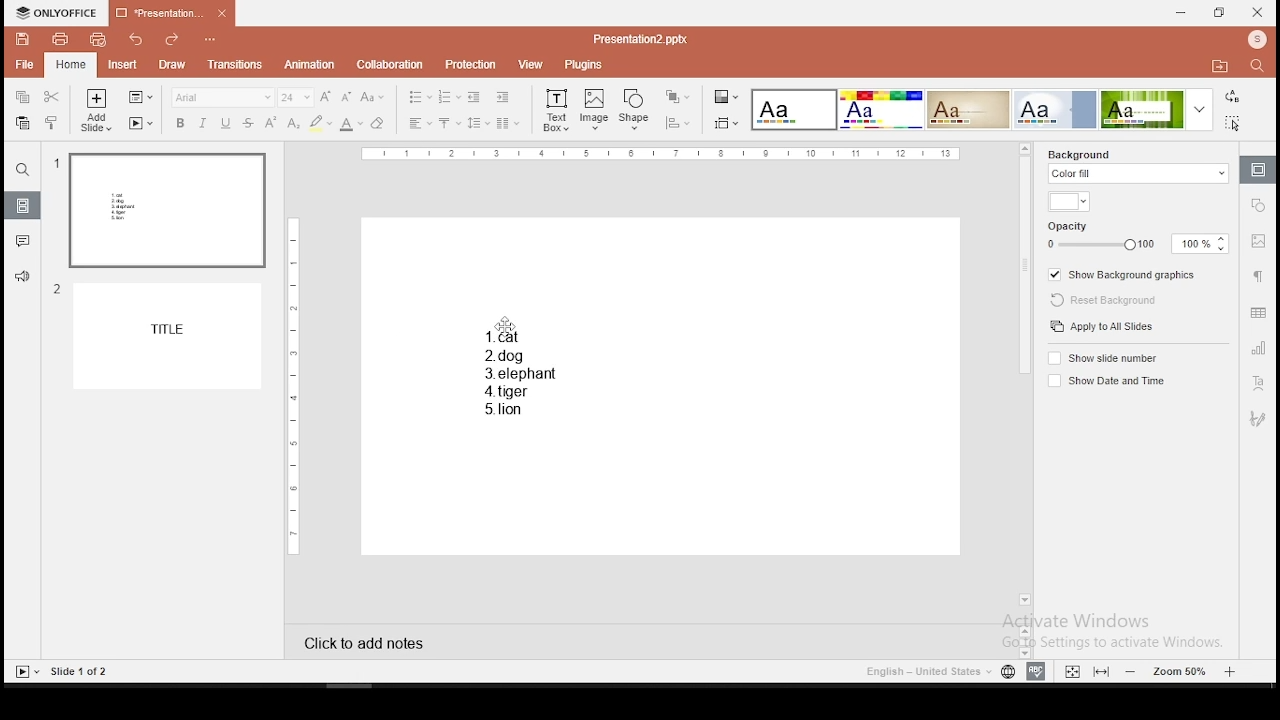 The width and height of the screenshot is (1280, 720). Describe the element at coordinates (1024, 376) in the screenshot. I see `scroll bar` at that location.